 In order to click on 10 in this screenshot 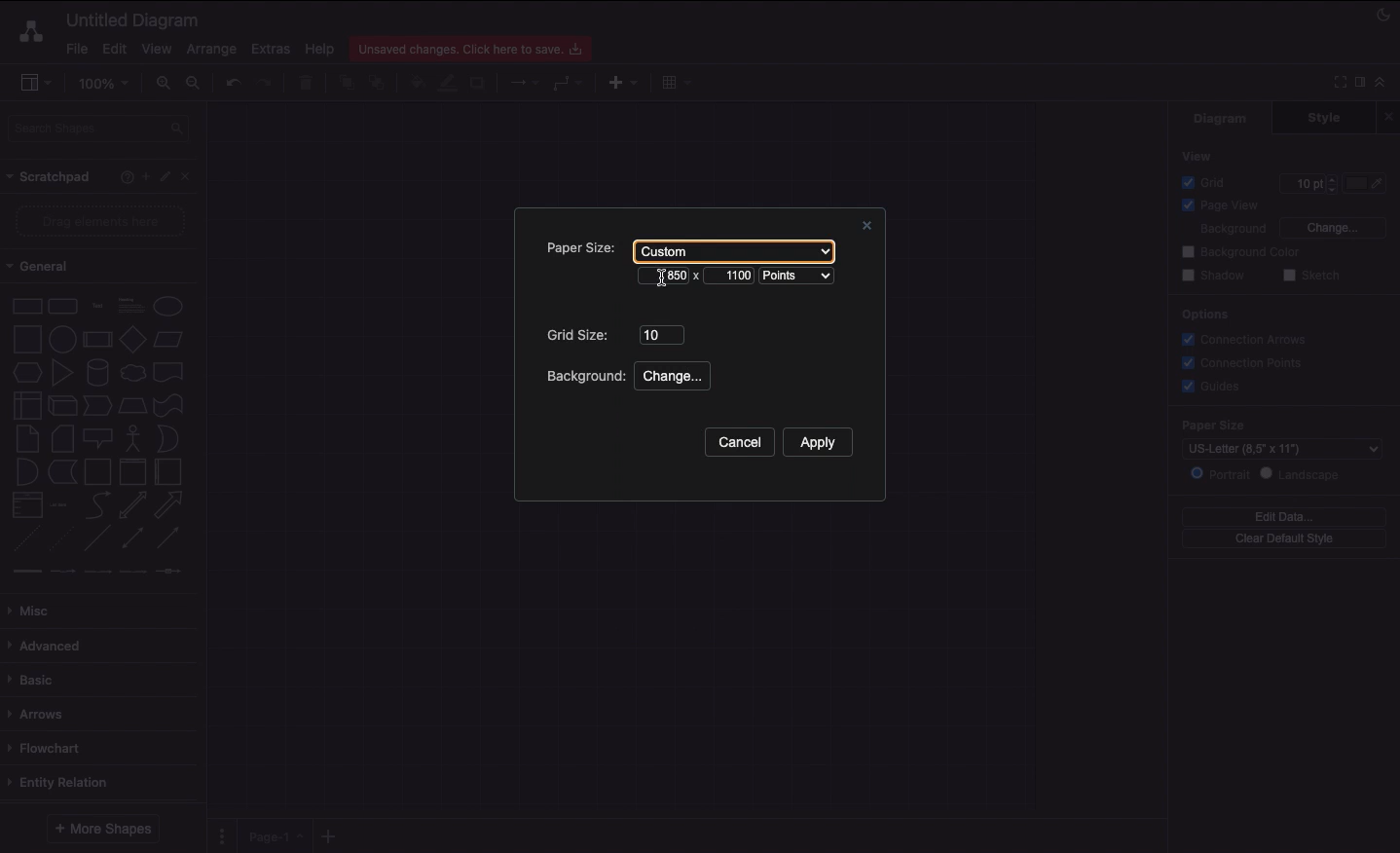, I will do `click(661, 335)`.